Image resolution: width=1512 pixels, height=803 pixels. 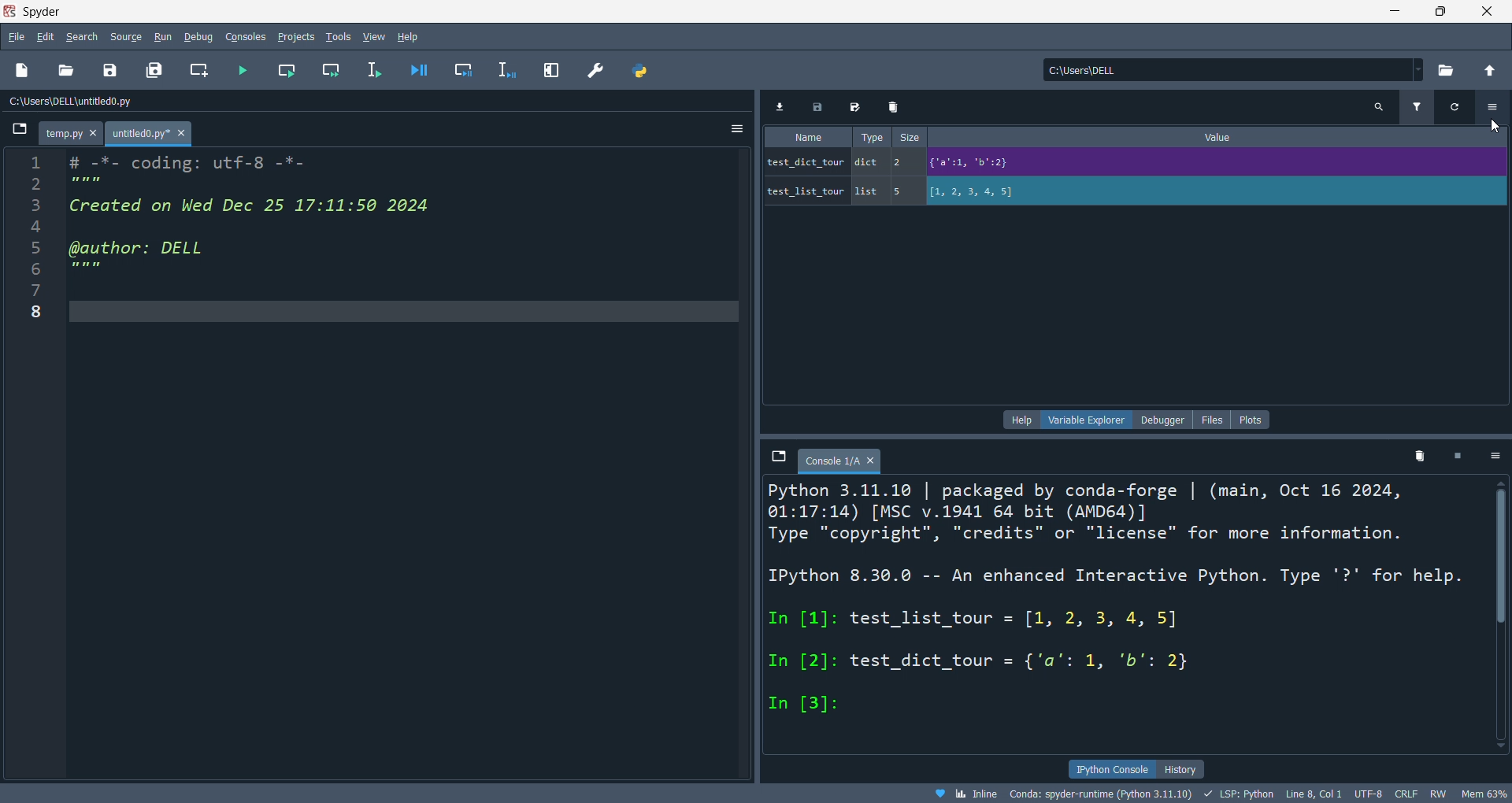 I want to click on LSP:PYTHON, so click(x=1242, y=794).